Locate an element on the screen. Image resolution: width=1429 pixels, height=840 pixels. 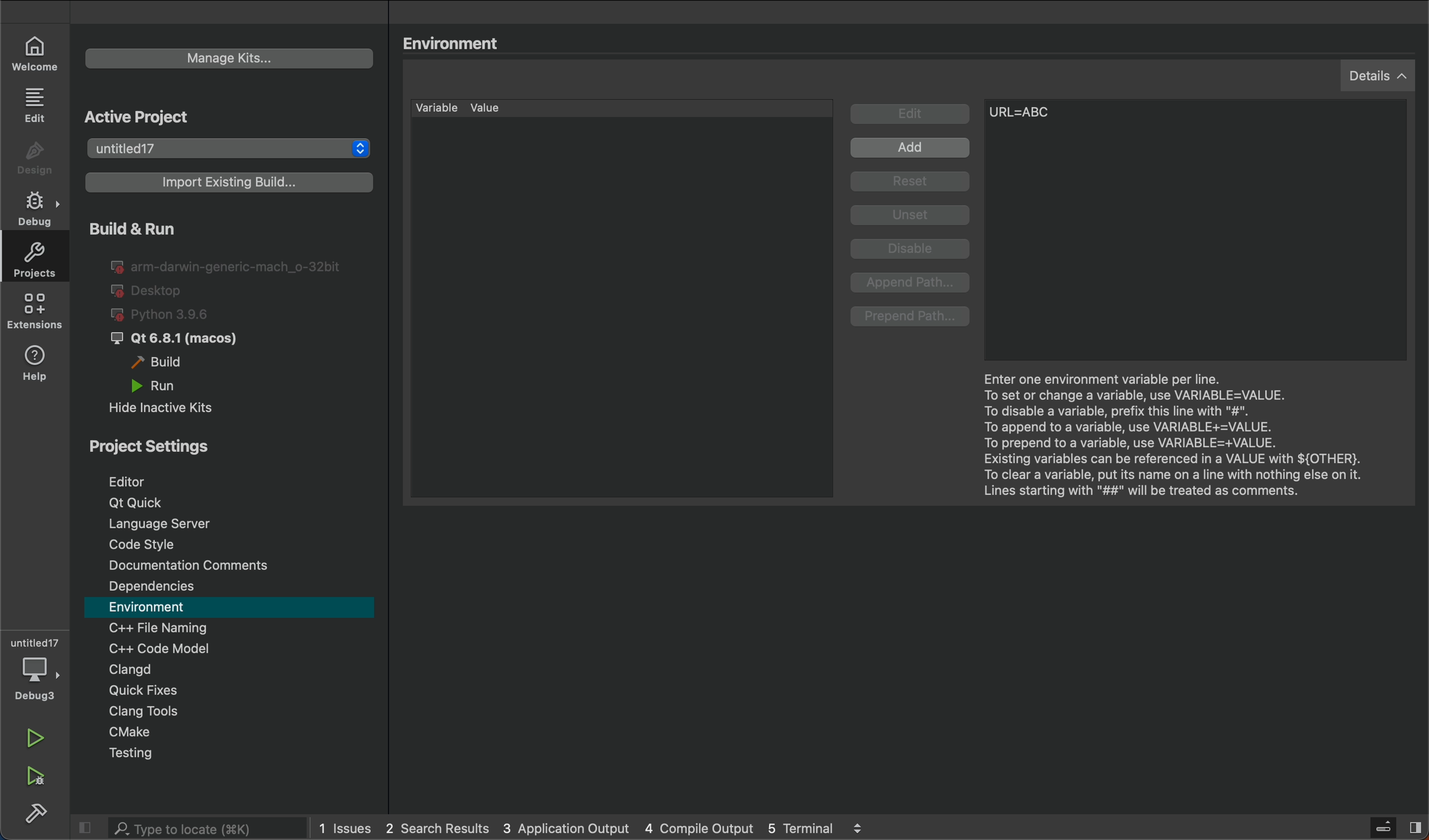
Language server is located at coordinates (232, 523).